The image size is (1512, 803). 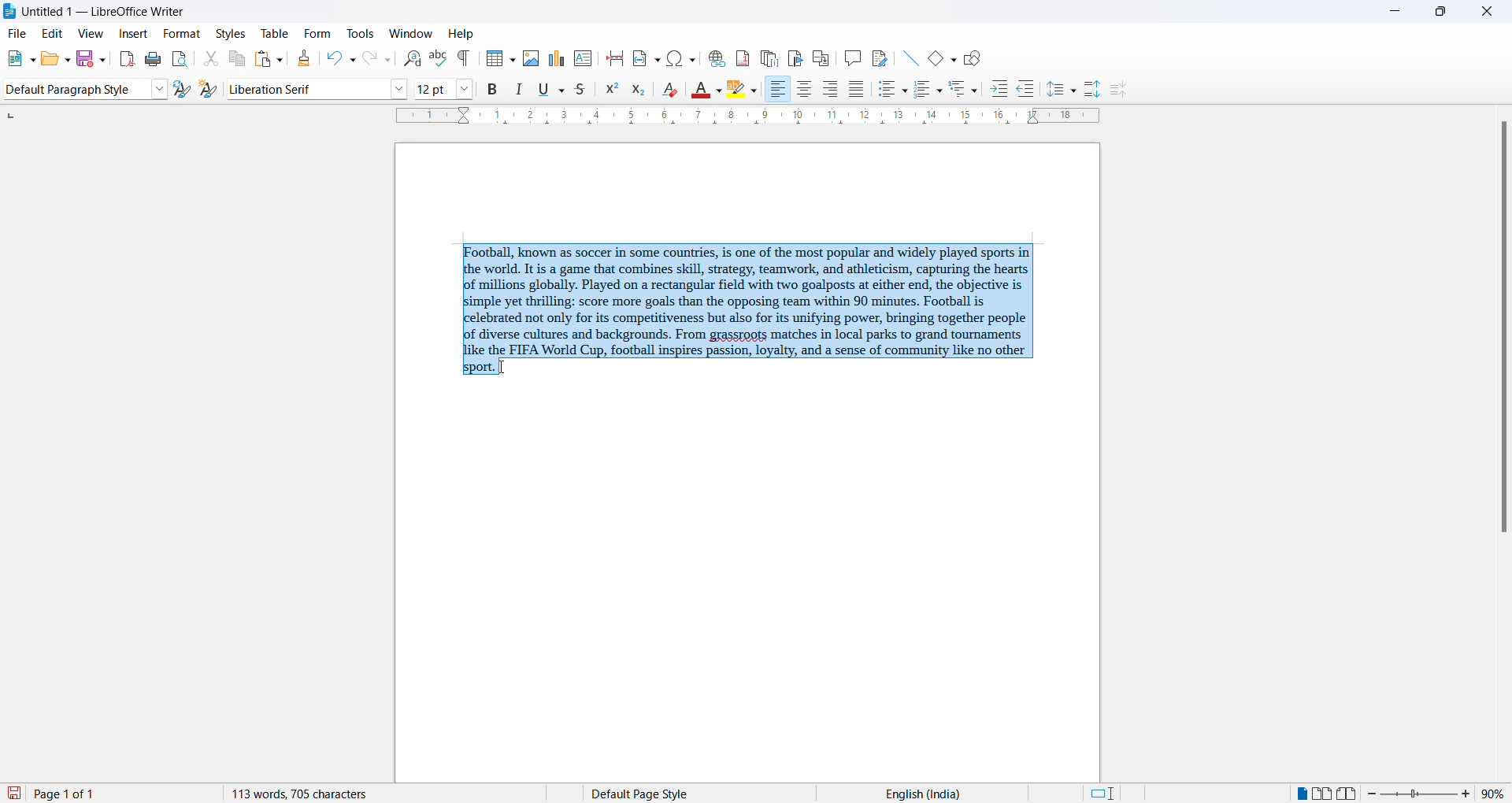 What do you see at coordinates (358, 32) in the screenshot?
I see `tools` at bounding box center [358, 32].